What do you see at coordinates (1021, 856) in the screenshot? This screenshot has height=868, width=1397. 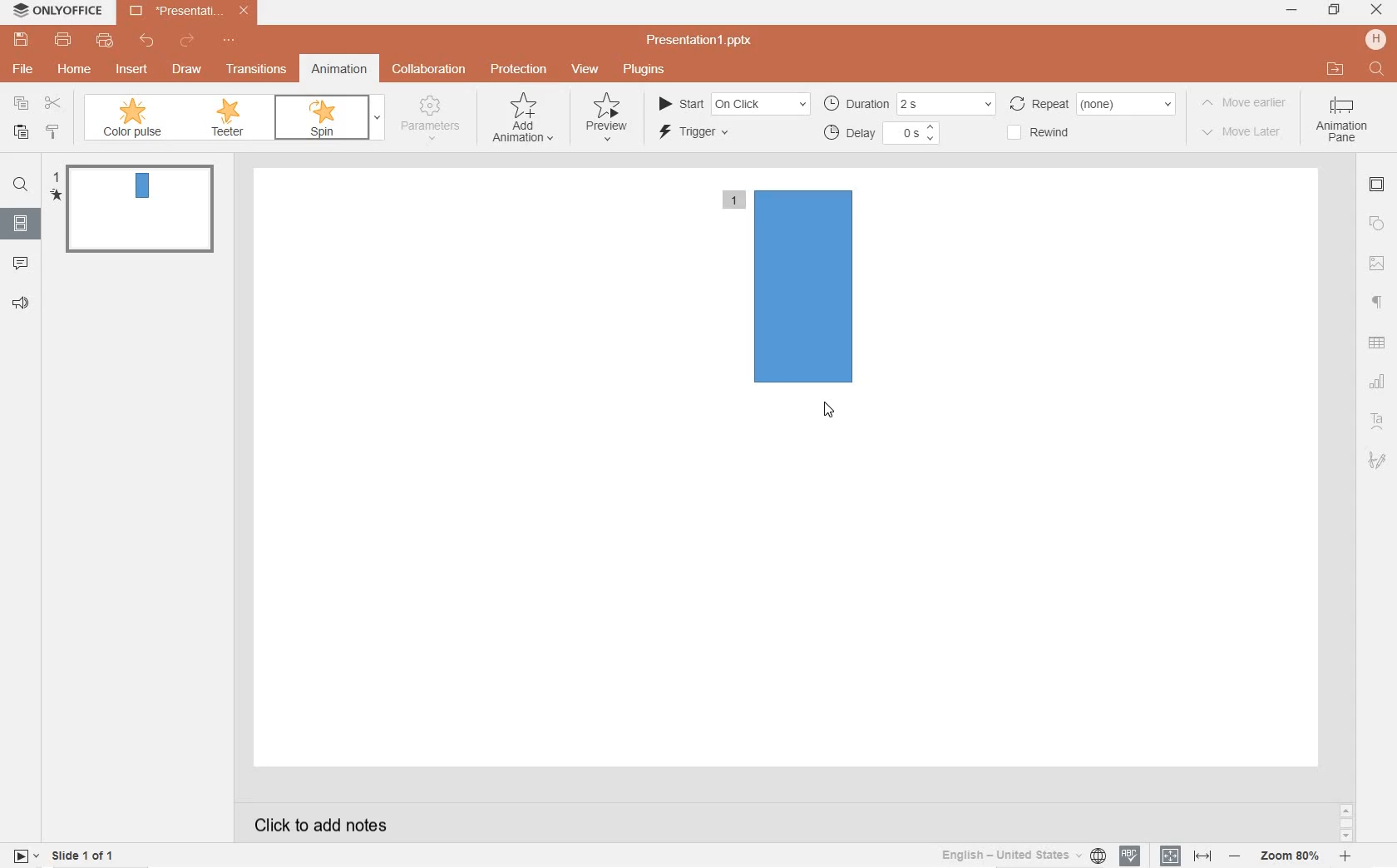 I see `English - United States` at bounding box center [1021, 856].